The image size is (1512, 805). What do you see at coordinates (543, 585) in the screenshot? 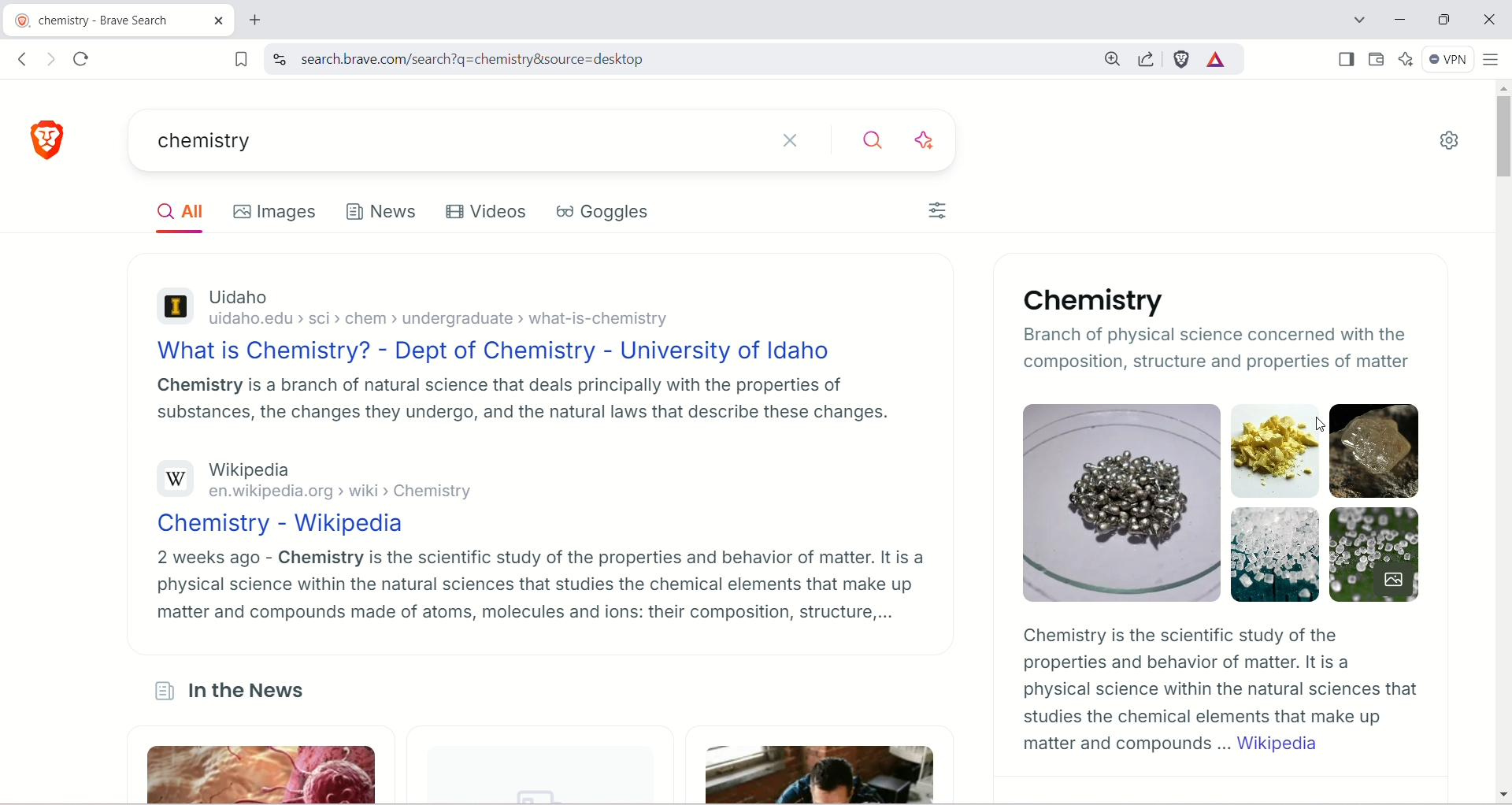
I see `2 weeks ago - Chemistry is the scientific study of the properties and behavior of matter. It is
a physical science within the natural sciences that studies the chemical elements that make
up matter and compounds made of atoms, molecules and ions: their composition, structure,...` at bounding box center [543, 585].